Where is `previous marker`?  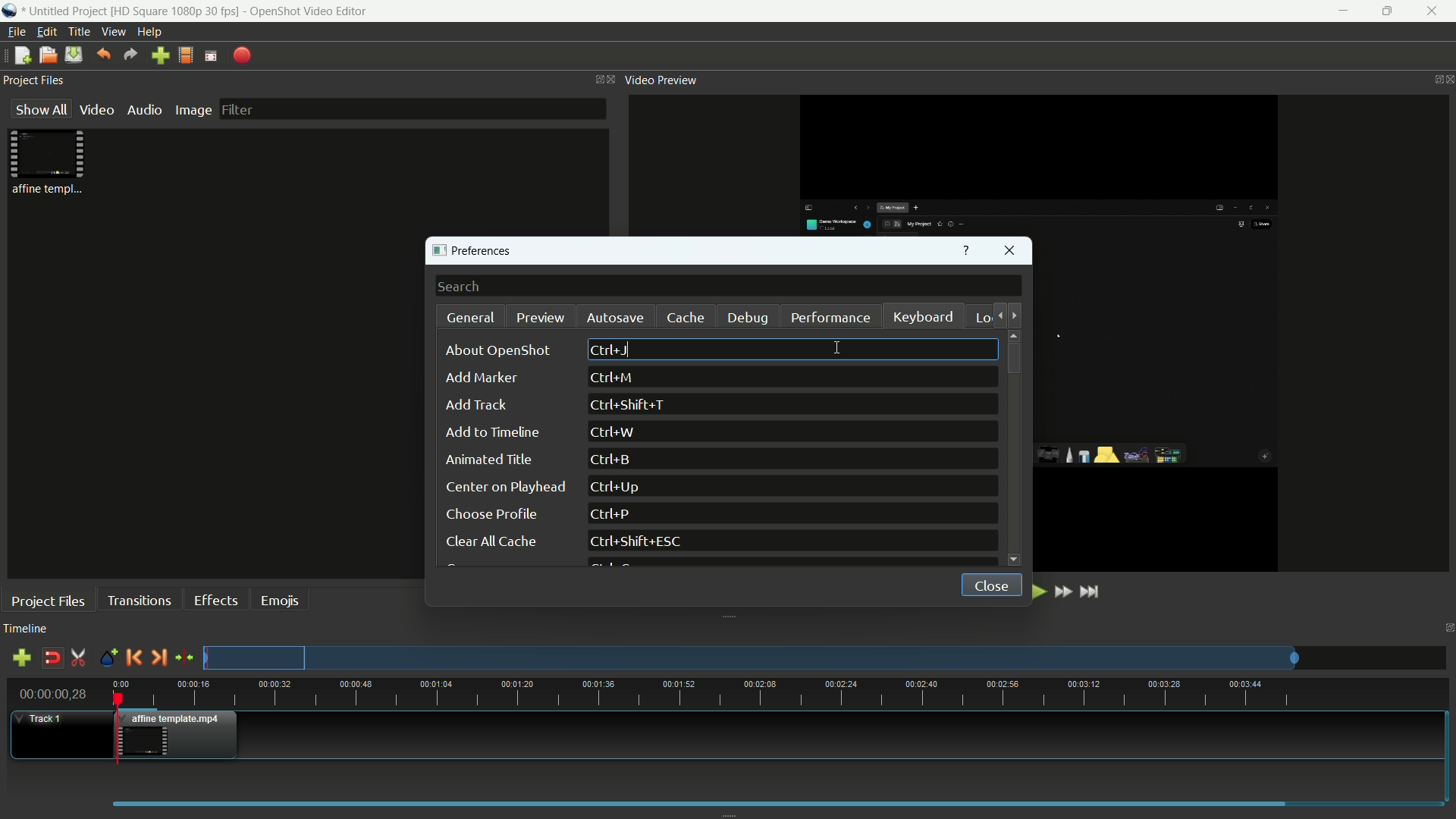 previous marker is located at coordinates (133, 657).